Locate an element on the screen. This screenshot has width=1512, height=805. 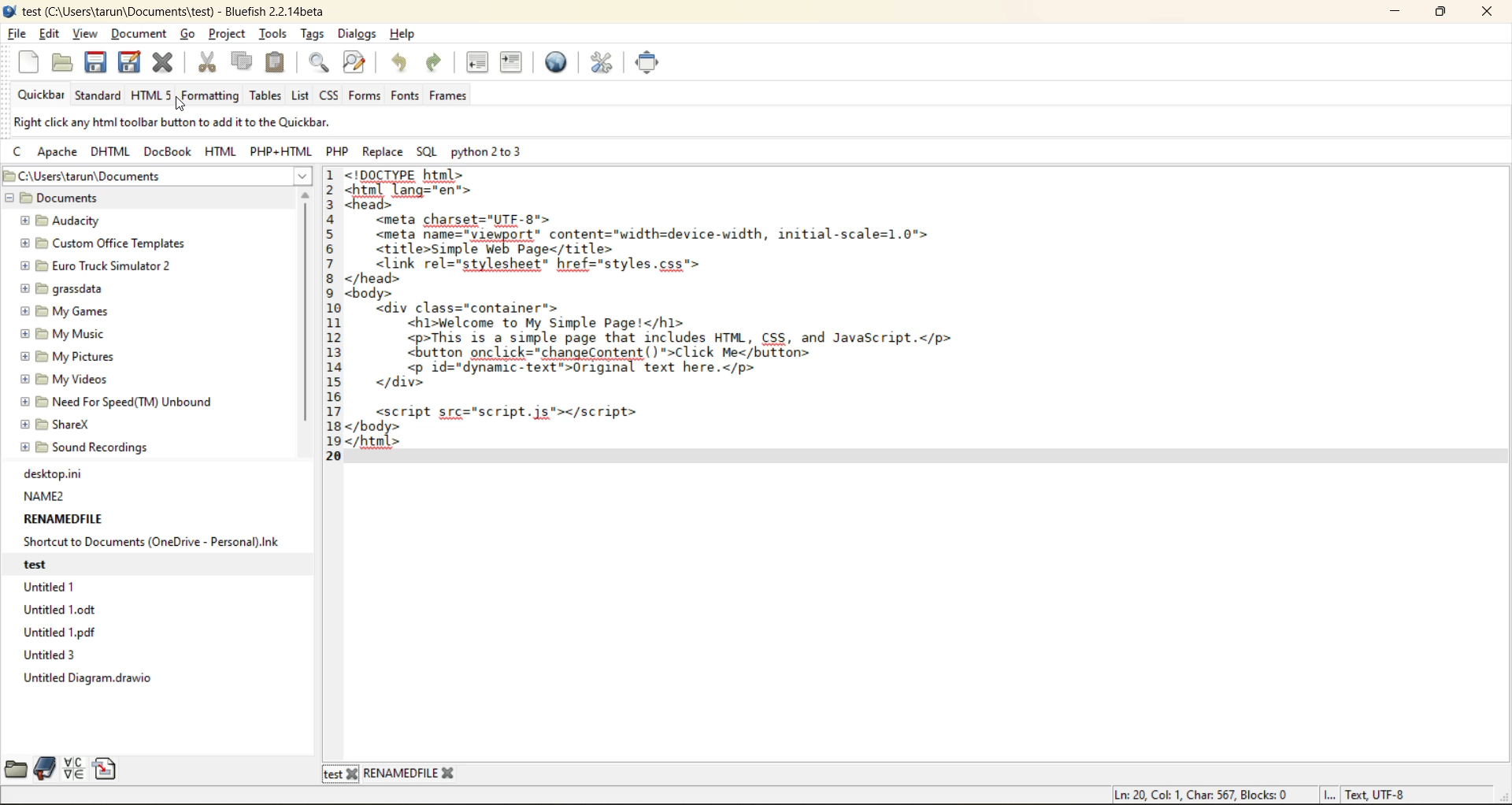
@ Bo Audacity is located at coordinates (58, 222).